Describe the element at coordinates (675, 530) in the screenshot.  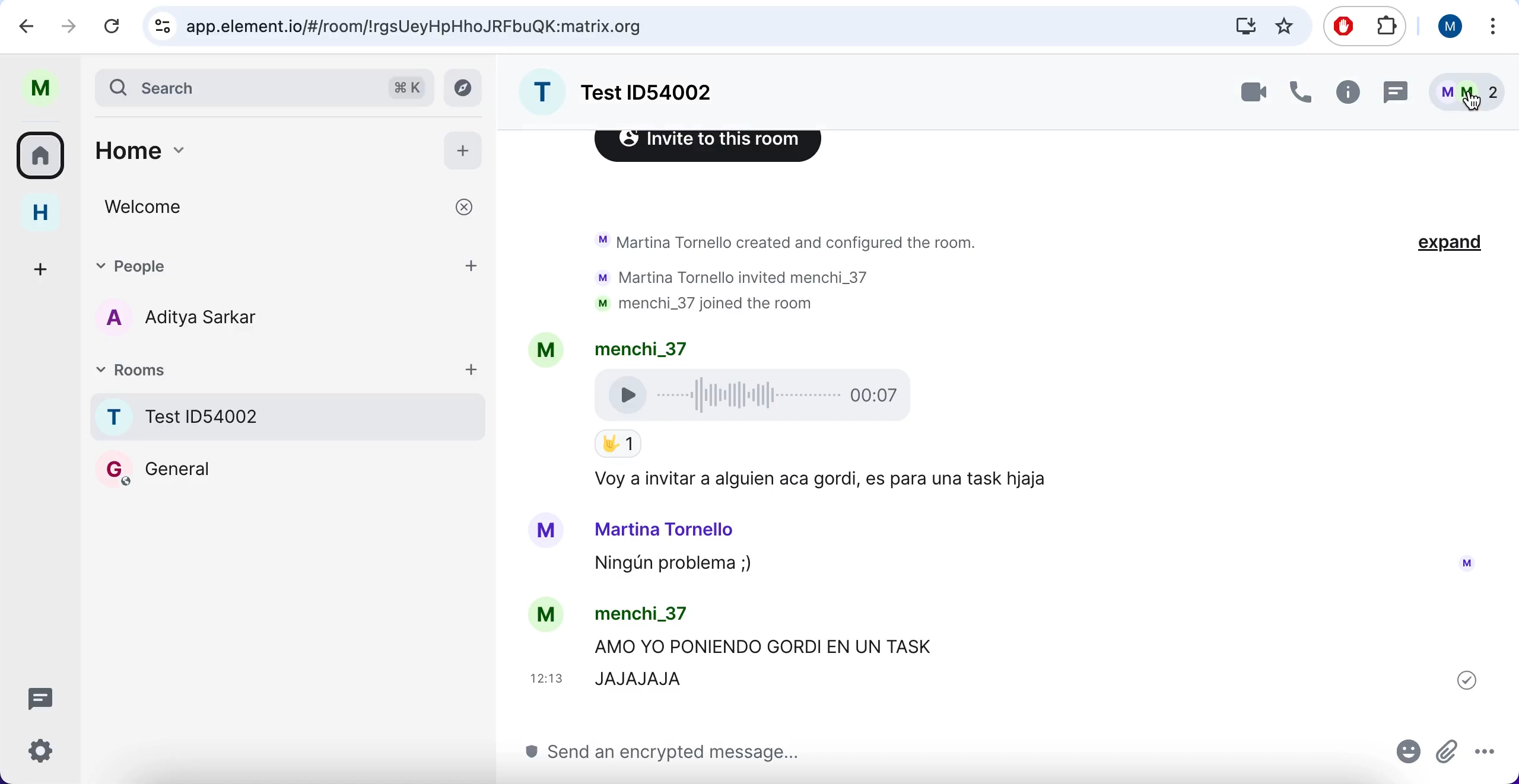
I see `Martina Tornello` at that location.